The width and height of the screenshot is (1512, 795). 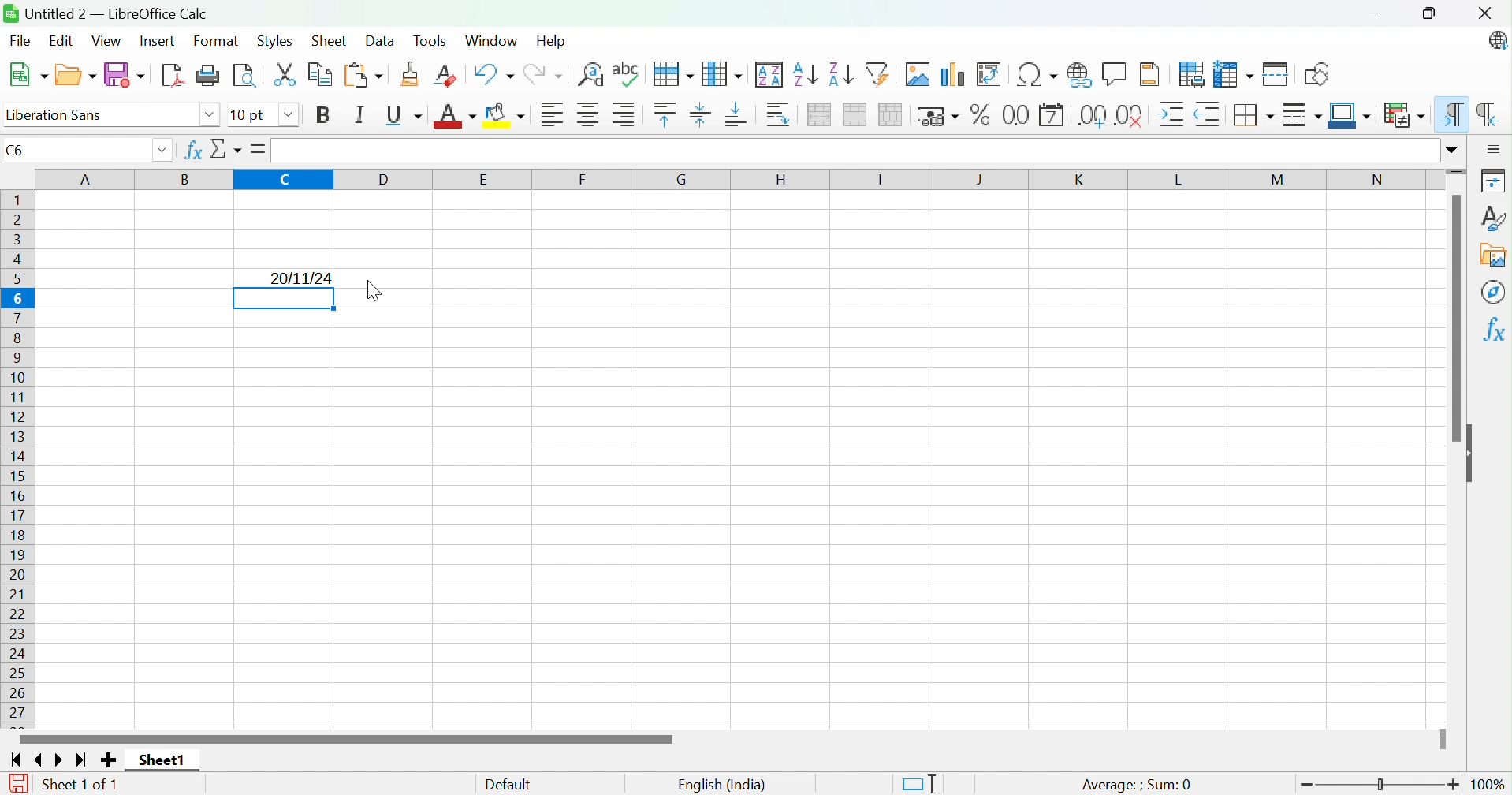 I want to click on Font color, so click(x=456, y=118).